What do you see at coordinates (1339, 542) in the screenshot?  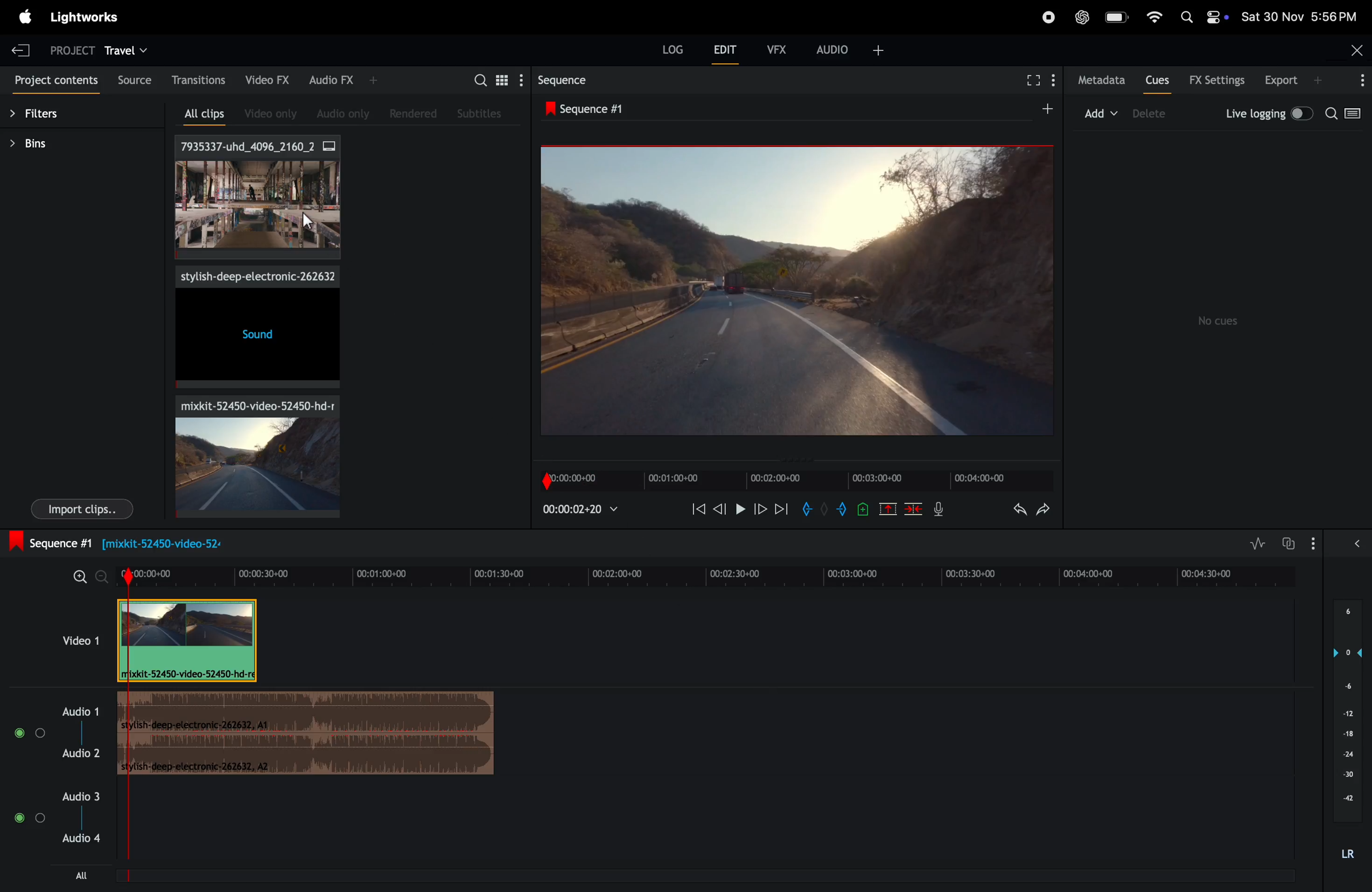 I see `options` at bounding box center [1339, 542].